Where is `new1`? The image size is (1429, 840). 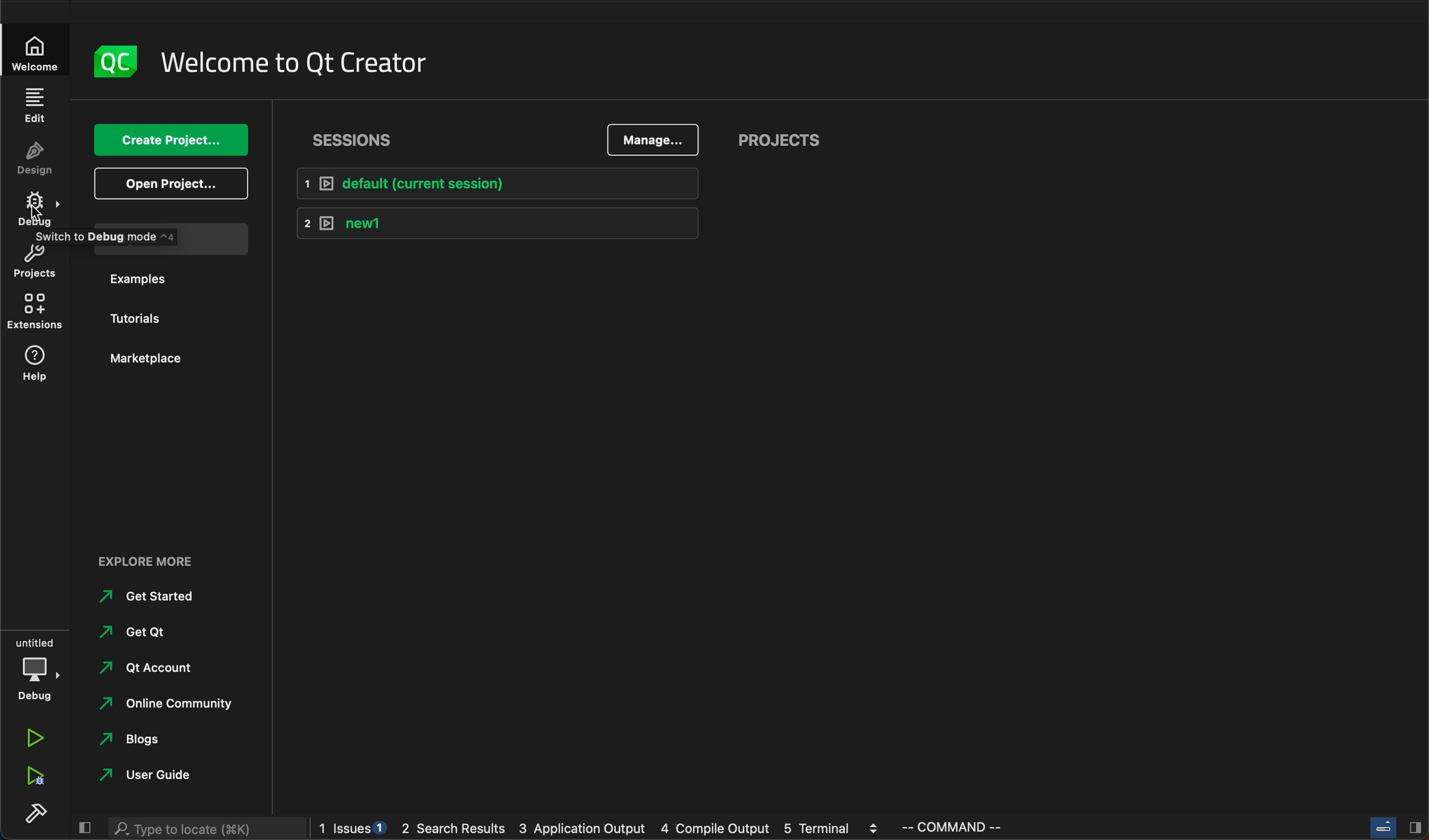 new1 is located at coordinates (494, 221).